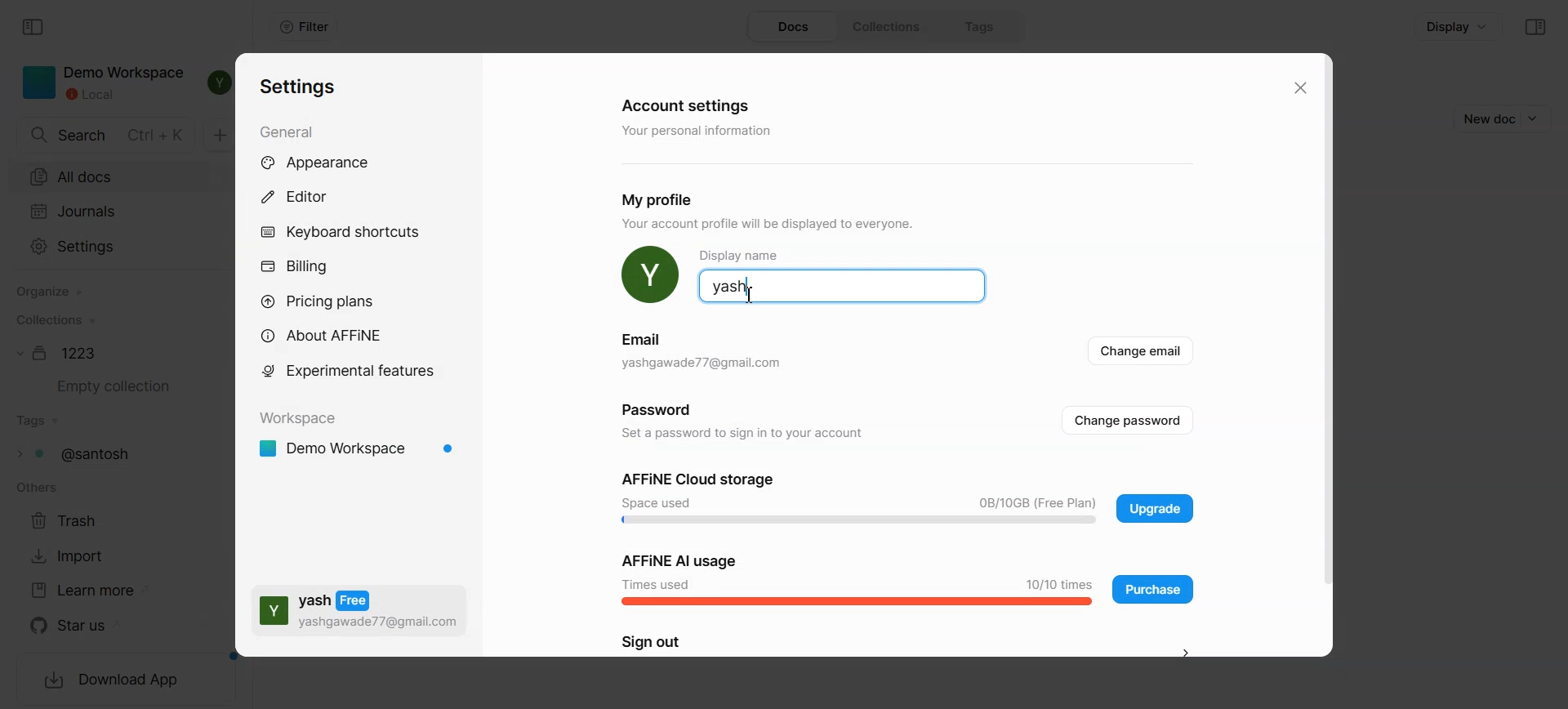  What do you see at coordinates (1535, 27) in the screenshot?
I see `Collapse sidebar` at bounding box center [1535, 27].